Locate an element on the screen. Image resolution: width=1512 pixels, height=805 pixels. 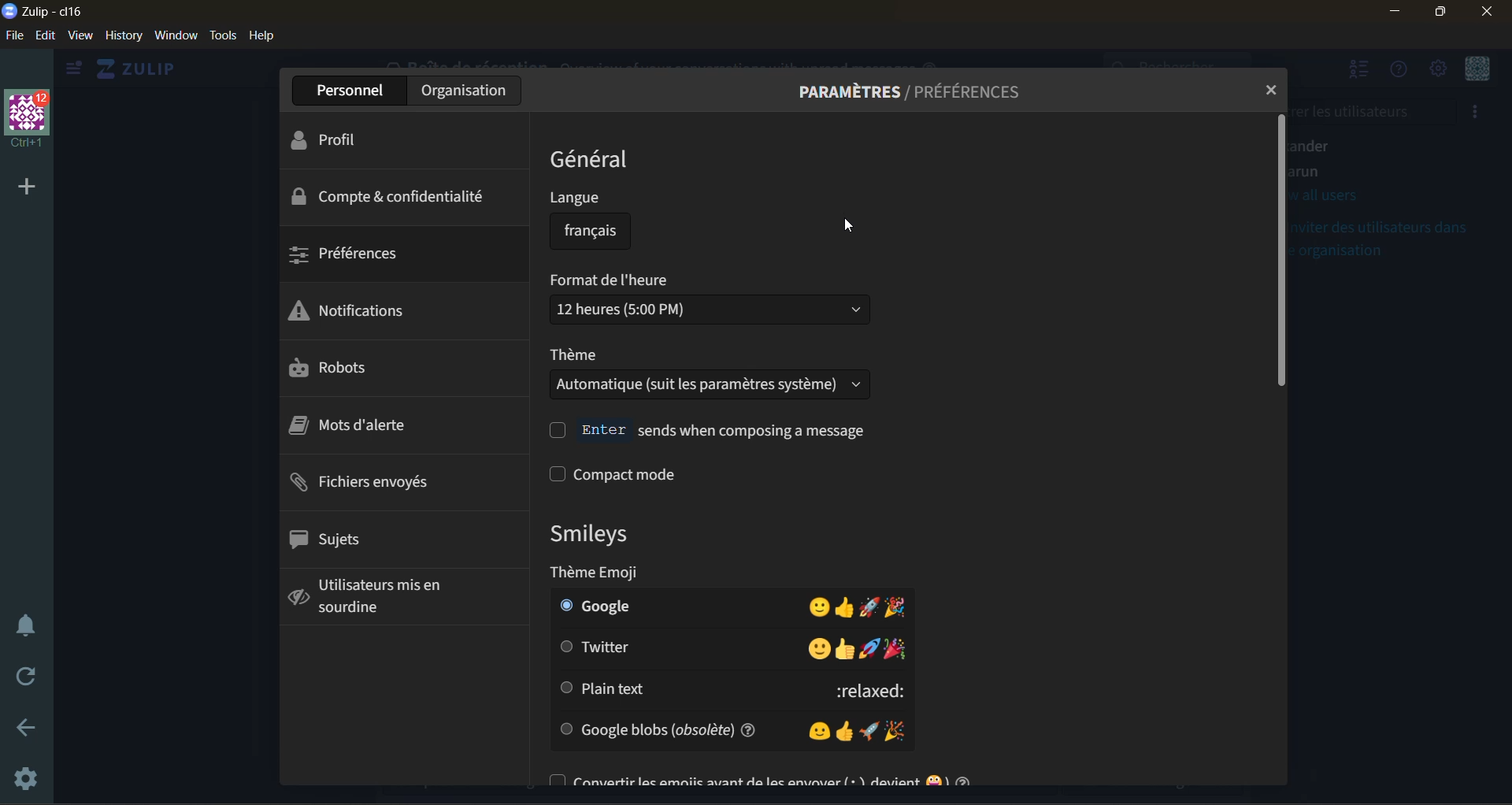
tools is located at coordinates (222, 35).